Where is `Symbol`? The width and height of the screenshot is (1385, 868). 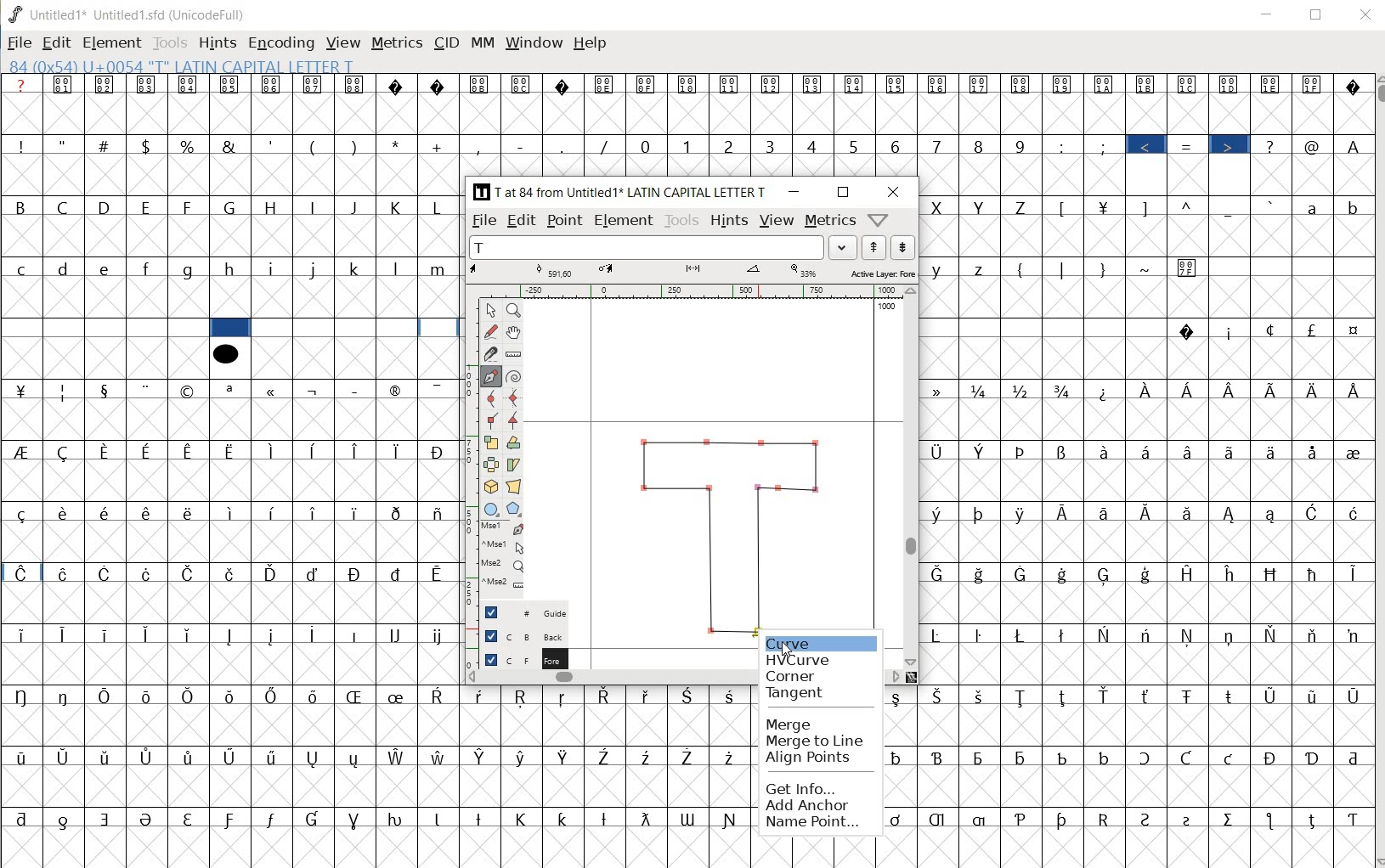 Symbol is located at coordinates (941, 634).